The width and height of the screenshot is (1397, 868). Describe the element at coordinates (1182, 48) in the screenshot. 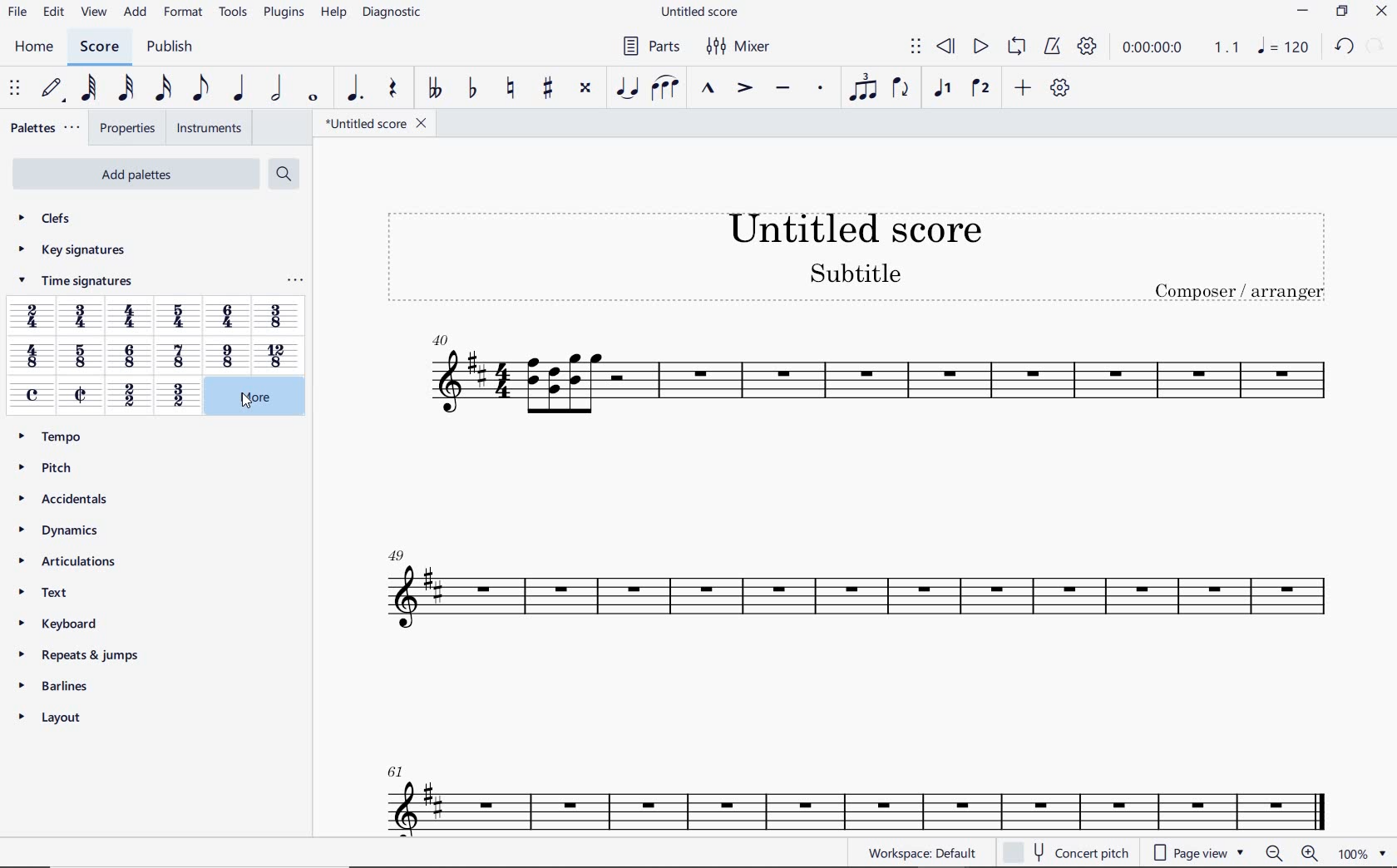

I see `PLAY SPEED` at that location.